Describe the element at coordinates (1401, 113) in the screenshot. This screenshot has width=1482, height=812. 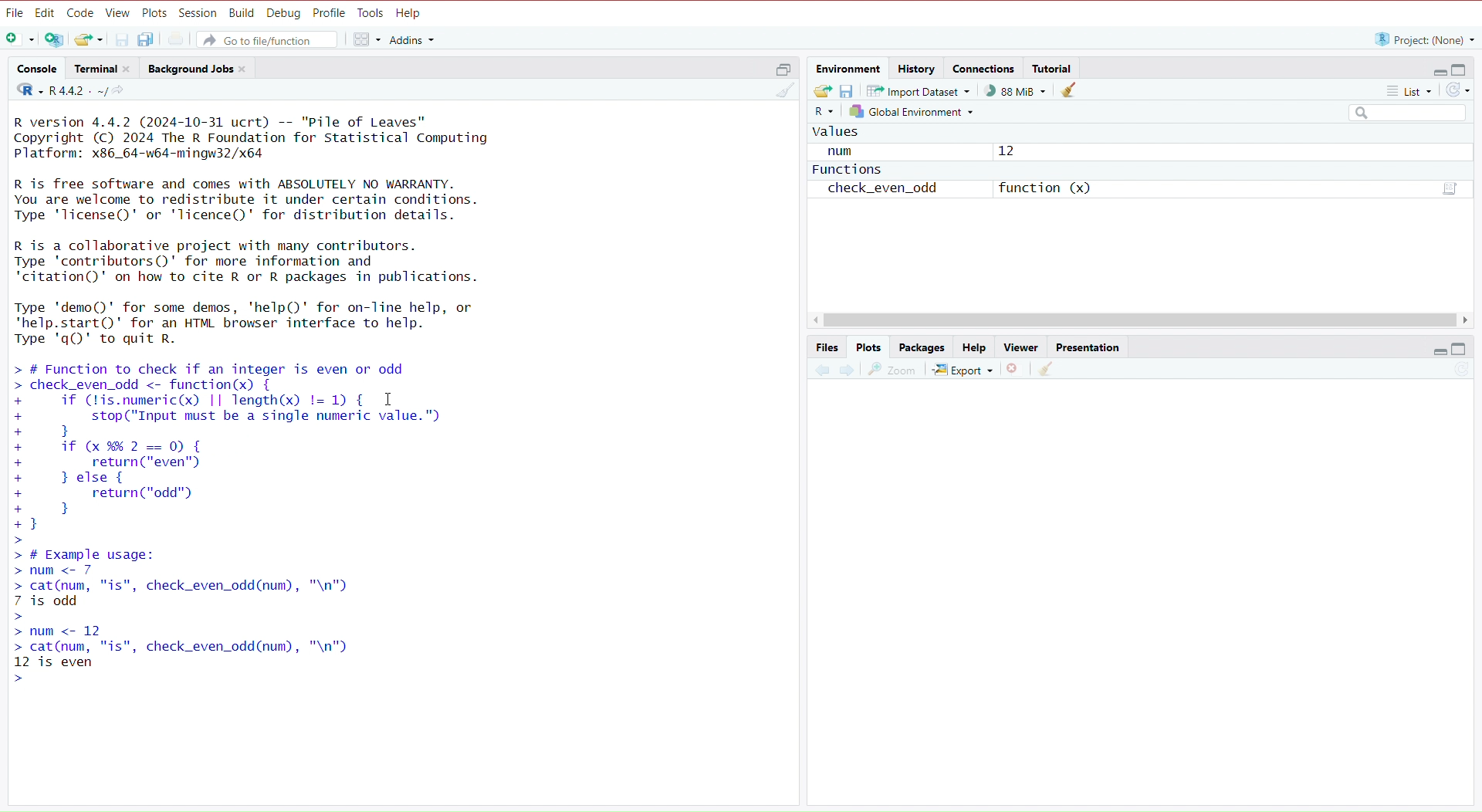
I see `search` at that location.